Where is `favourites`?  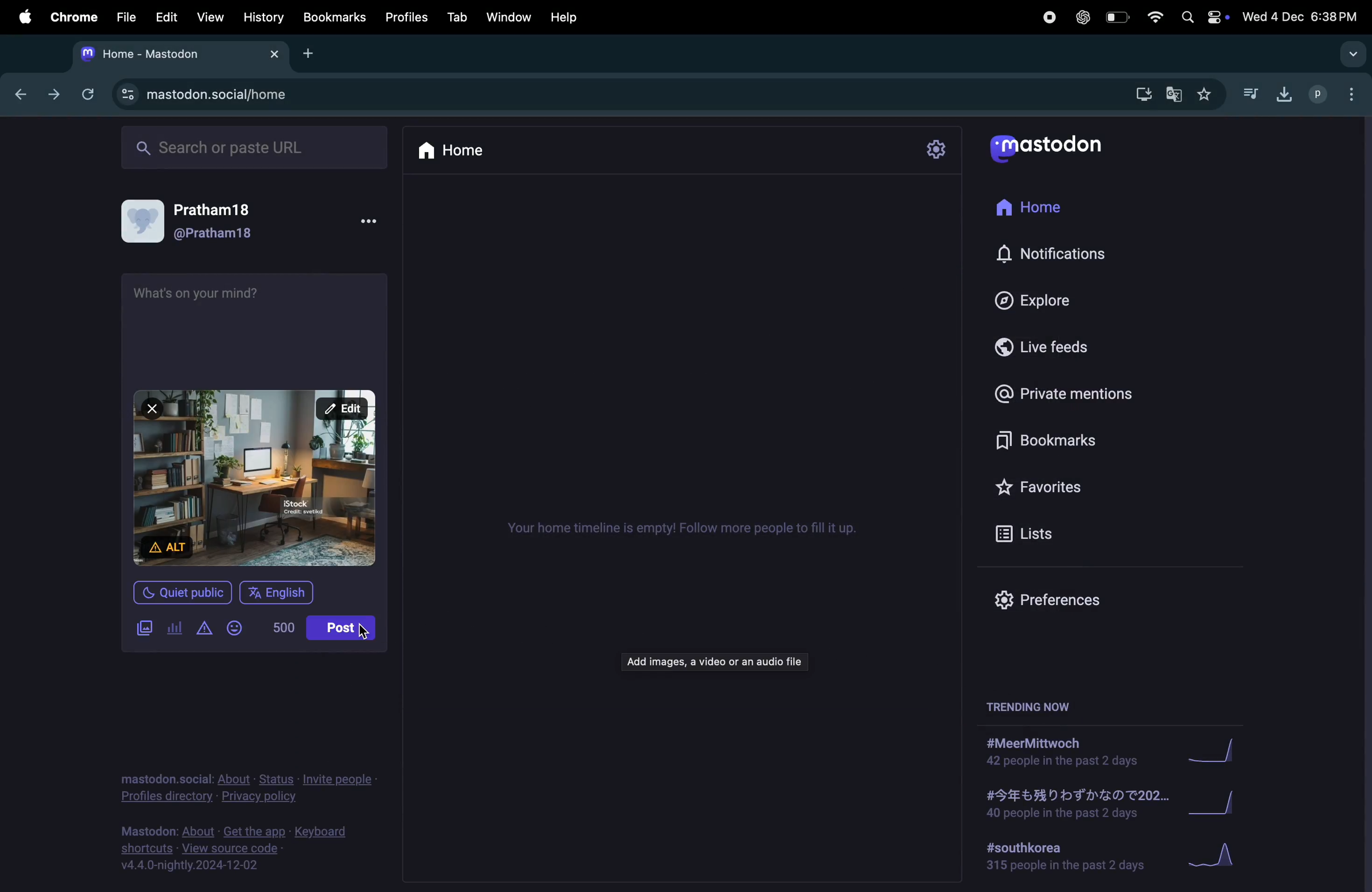
favourites is located at coordinates (1207, 95).